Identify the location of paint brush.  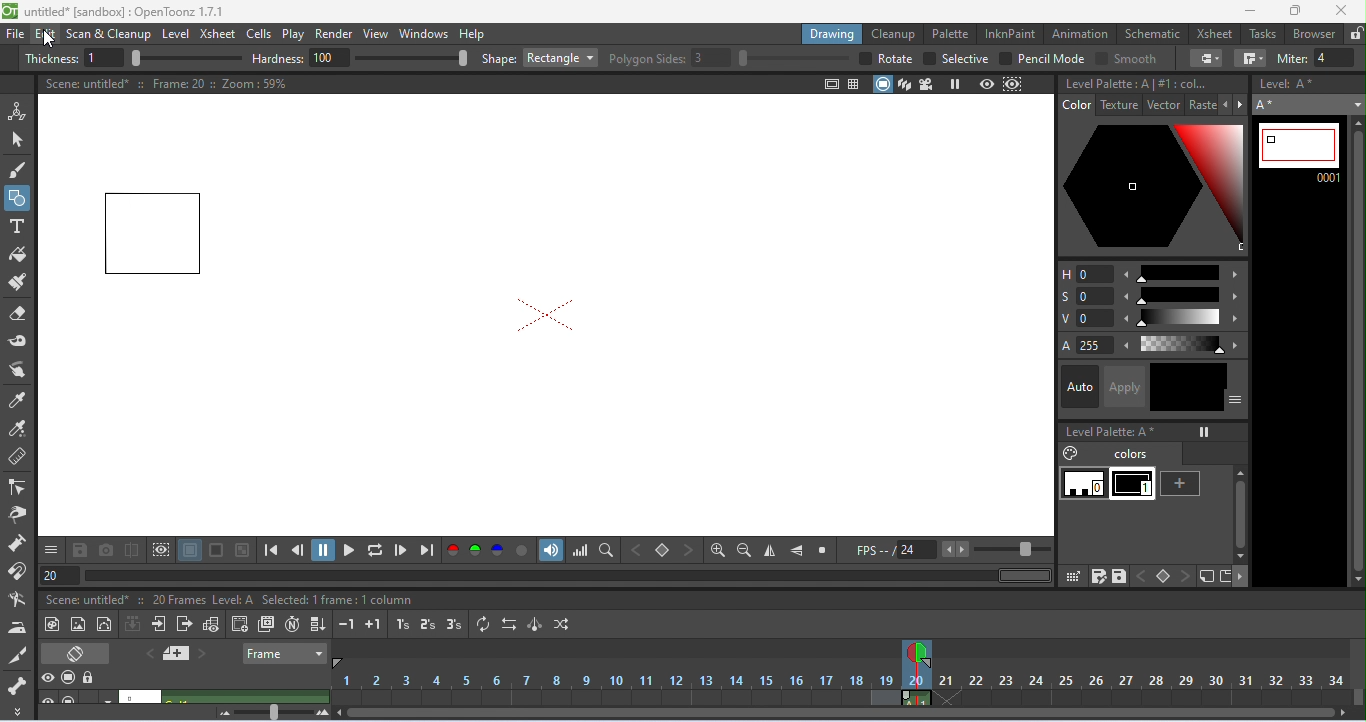
(18, 282).